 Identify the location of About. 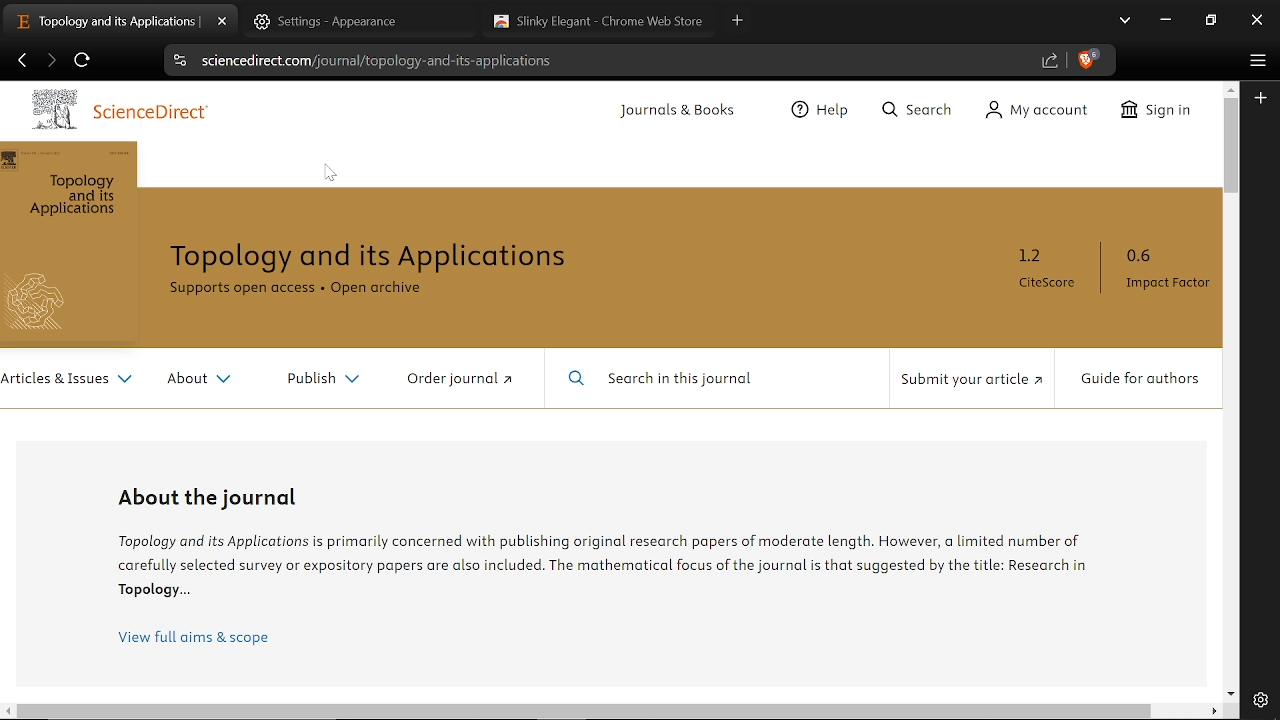
(197, 383).